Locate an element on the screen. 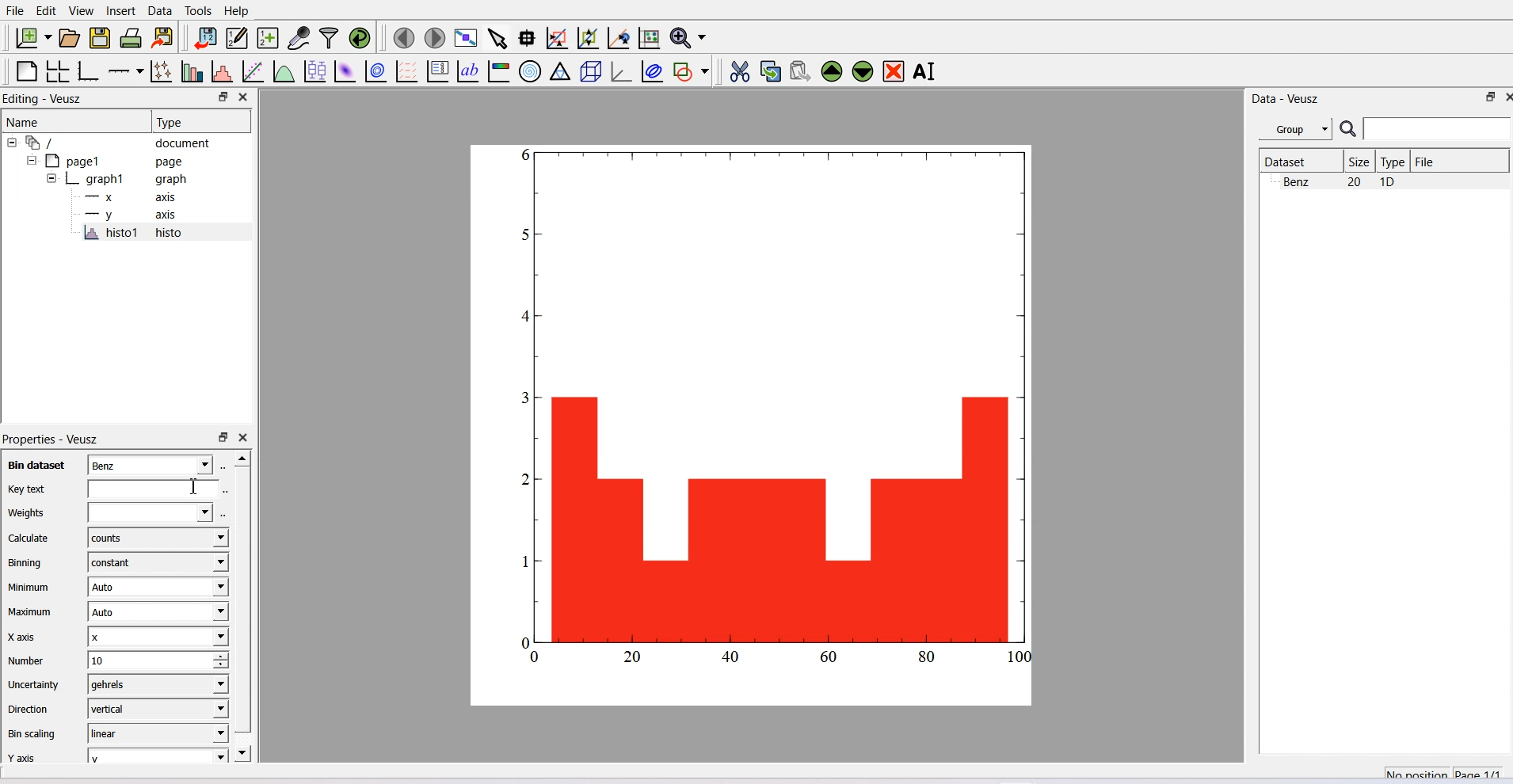 The height and width of the screenshot is (784, 1513). Import data is located at coordinates (205, 37).